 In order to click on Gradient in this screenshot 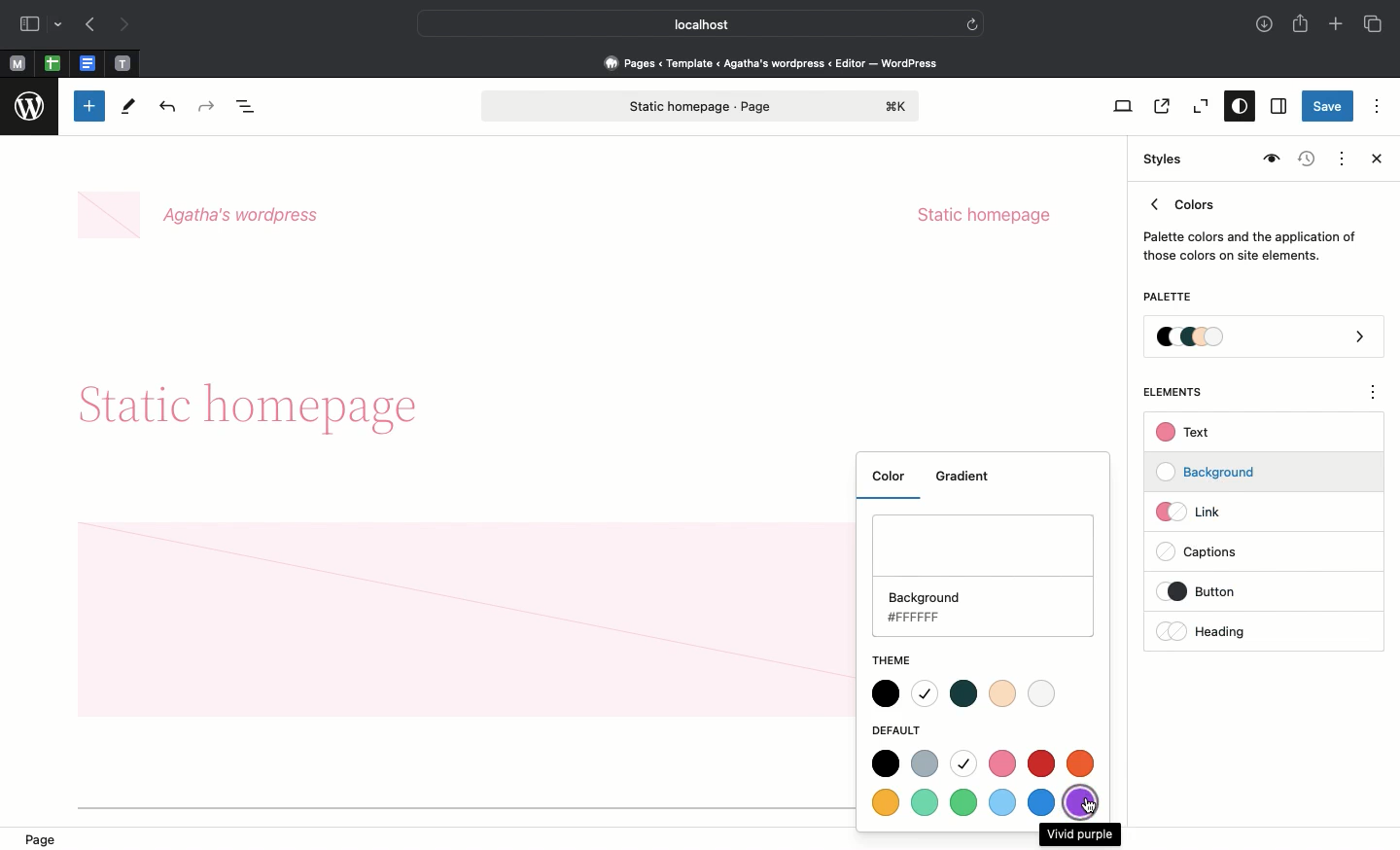, I will do `click(969, 478)`.